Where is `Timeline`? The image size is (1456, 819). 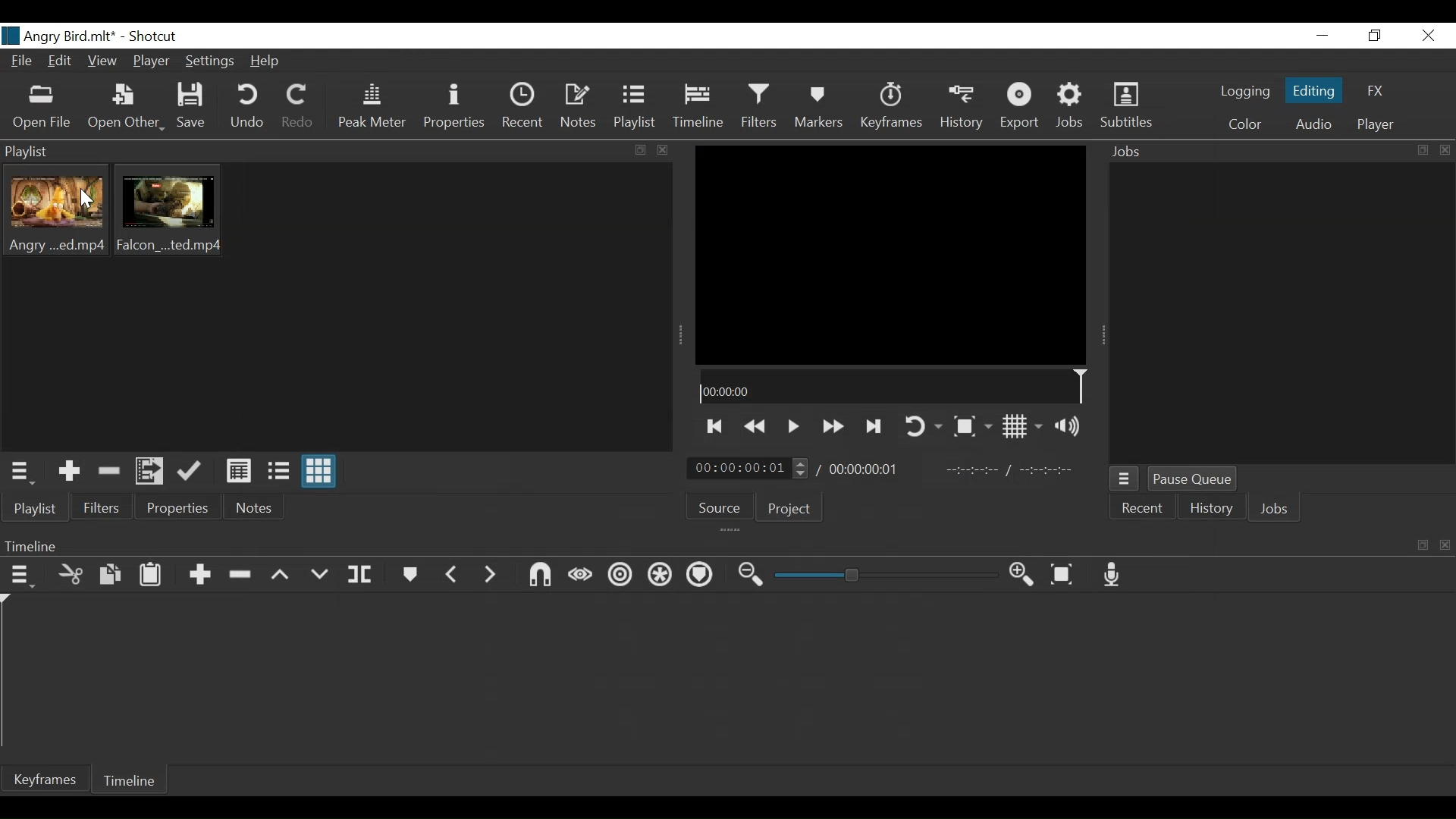 Timeline is located at coordinates (699, 106).